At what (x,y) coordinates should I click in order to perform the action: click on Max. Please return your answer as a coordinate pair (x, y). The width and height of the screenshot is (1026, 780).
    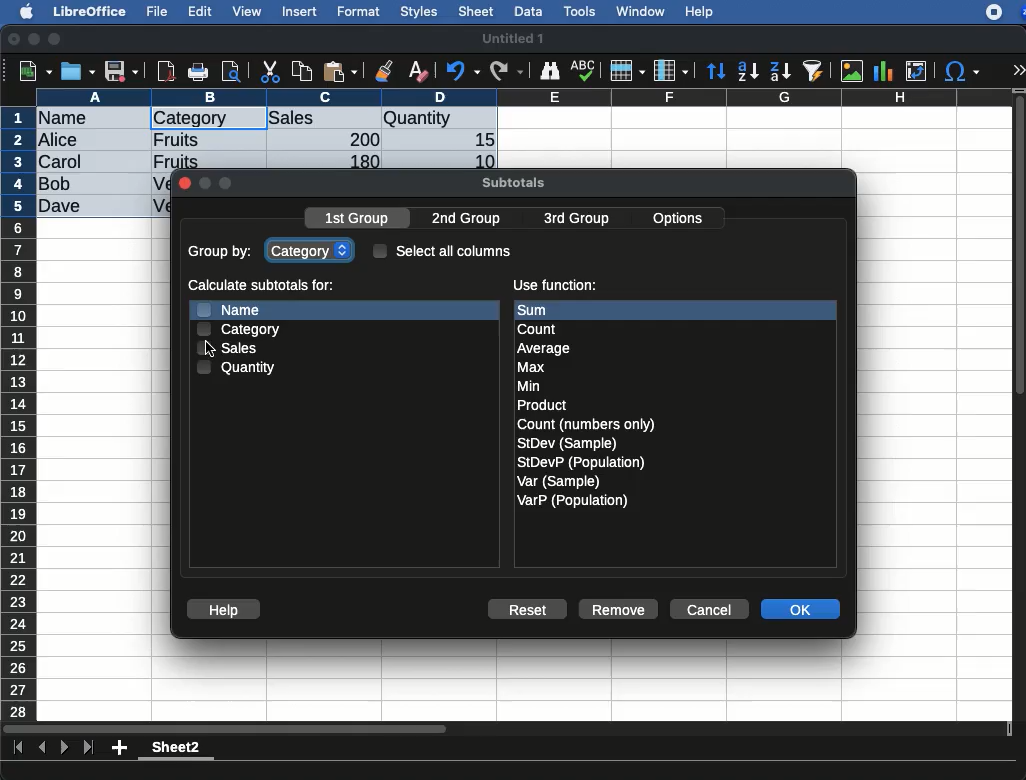
    Looking at the image, I should click on (532, 368).